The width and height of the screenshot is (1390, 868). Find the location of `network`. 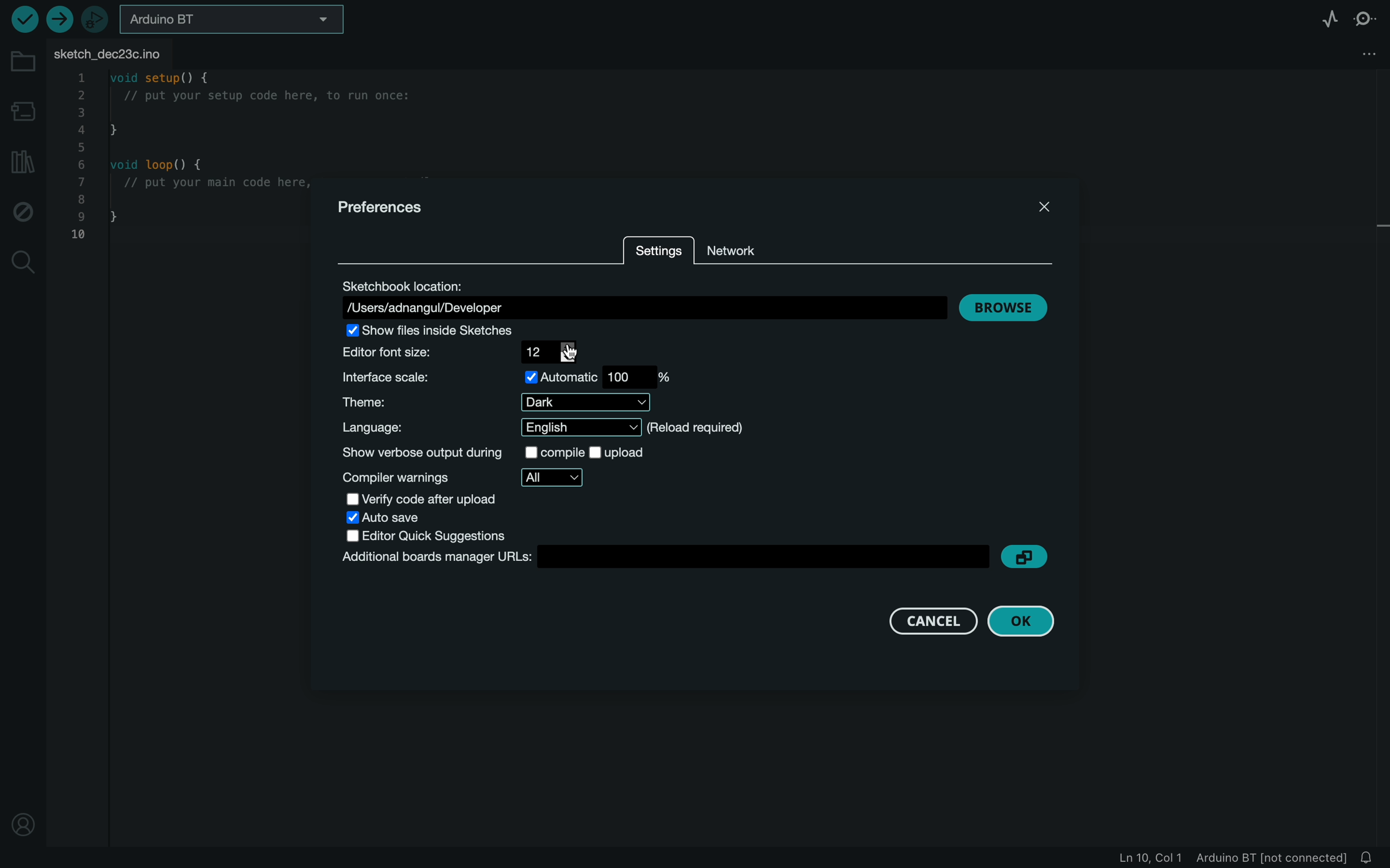

network is located at coordinates (740, 250).